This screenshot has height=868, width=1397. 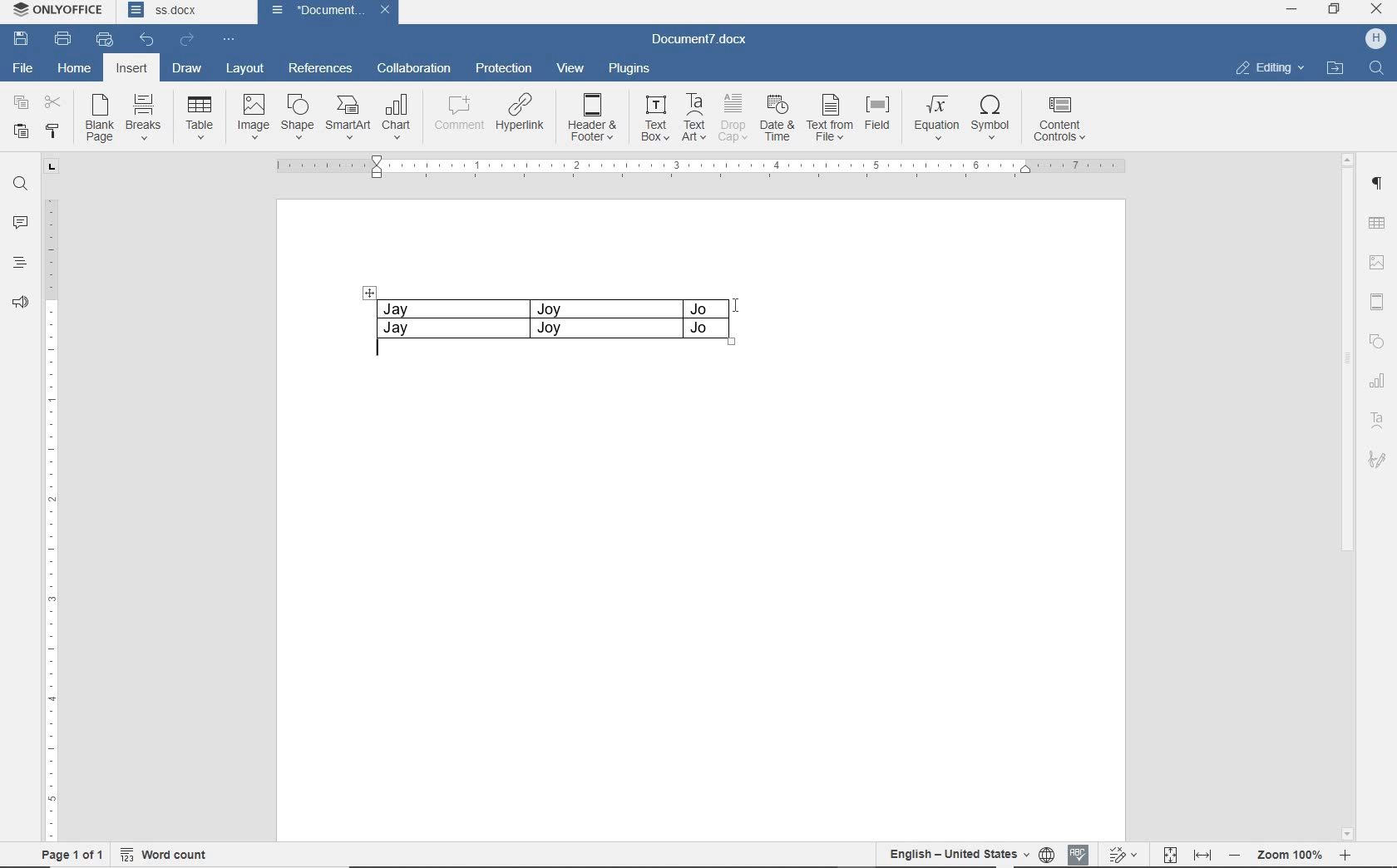 I want to click on FIND, so click(x=1377, y=71).